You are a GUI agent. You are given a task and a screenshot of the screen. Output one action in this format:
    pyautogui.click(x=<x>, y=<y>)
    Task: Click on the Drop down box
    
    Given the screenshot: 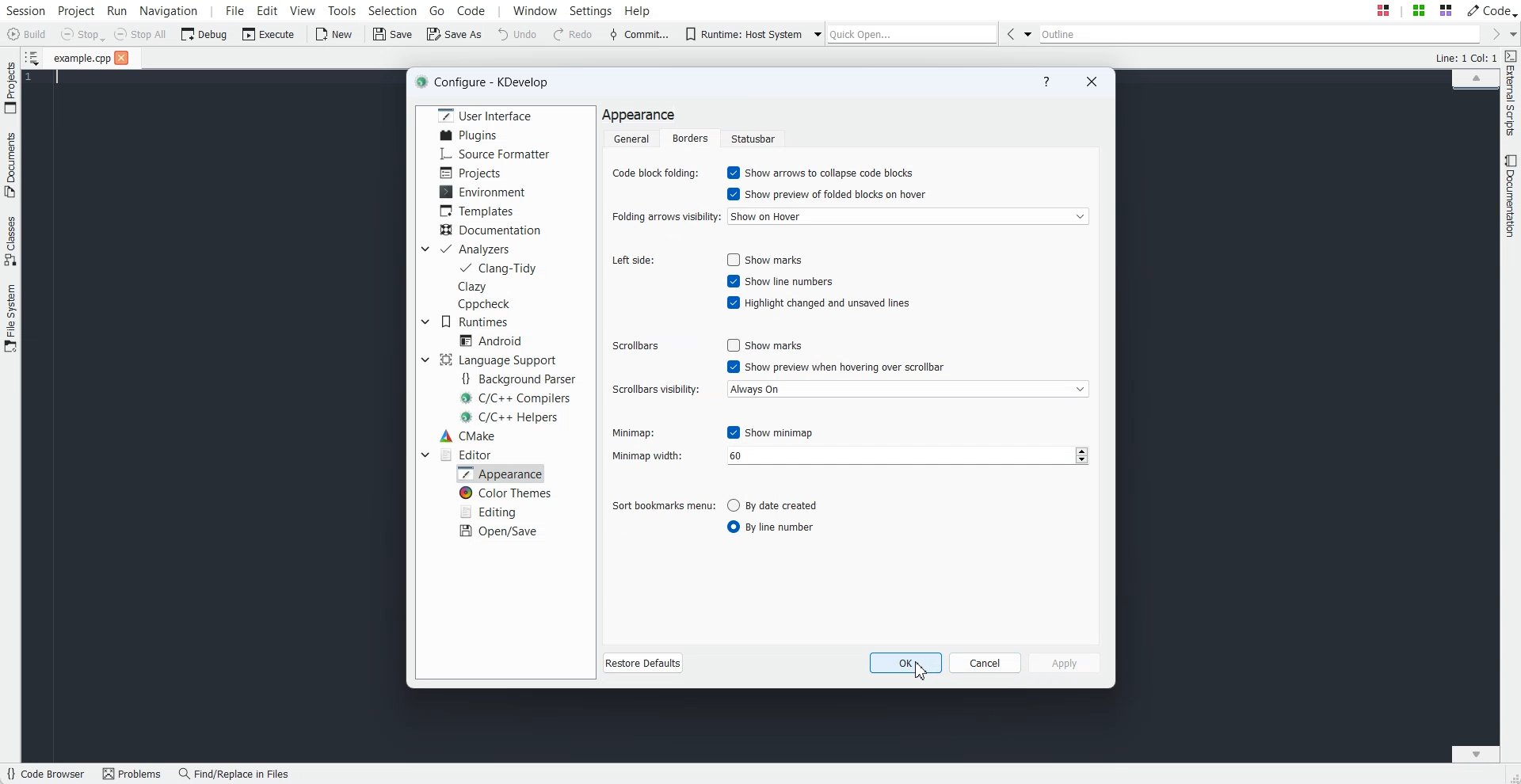 What is the action you would take?
    pyautogui.click(x=1511, y=34)
    